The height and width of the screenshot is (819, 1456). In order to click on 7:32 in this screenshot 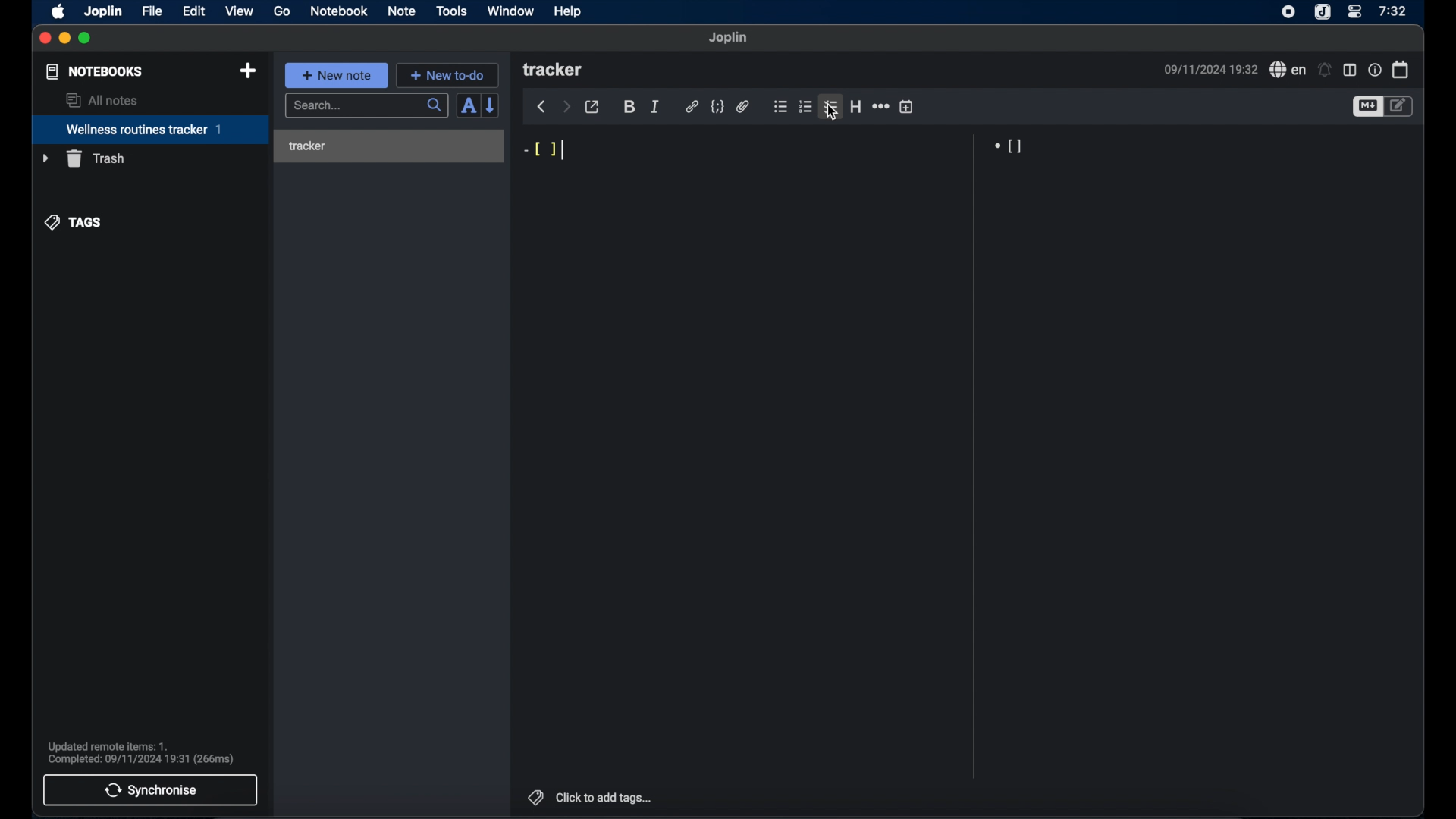, I will do `click(1392, 11)`.